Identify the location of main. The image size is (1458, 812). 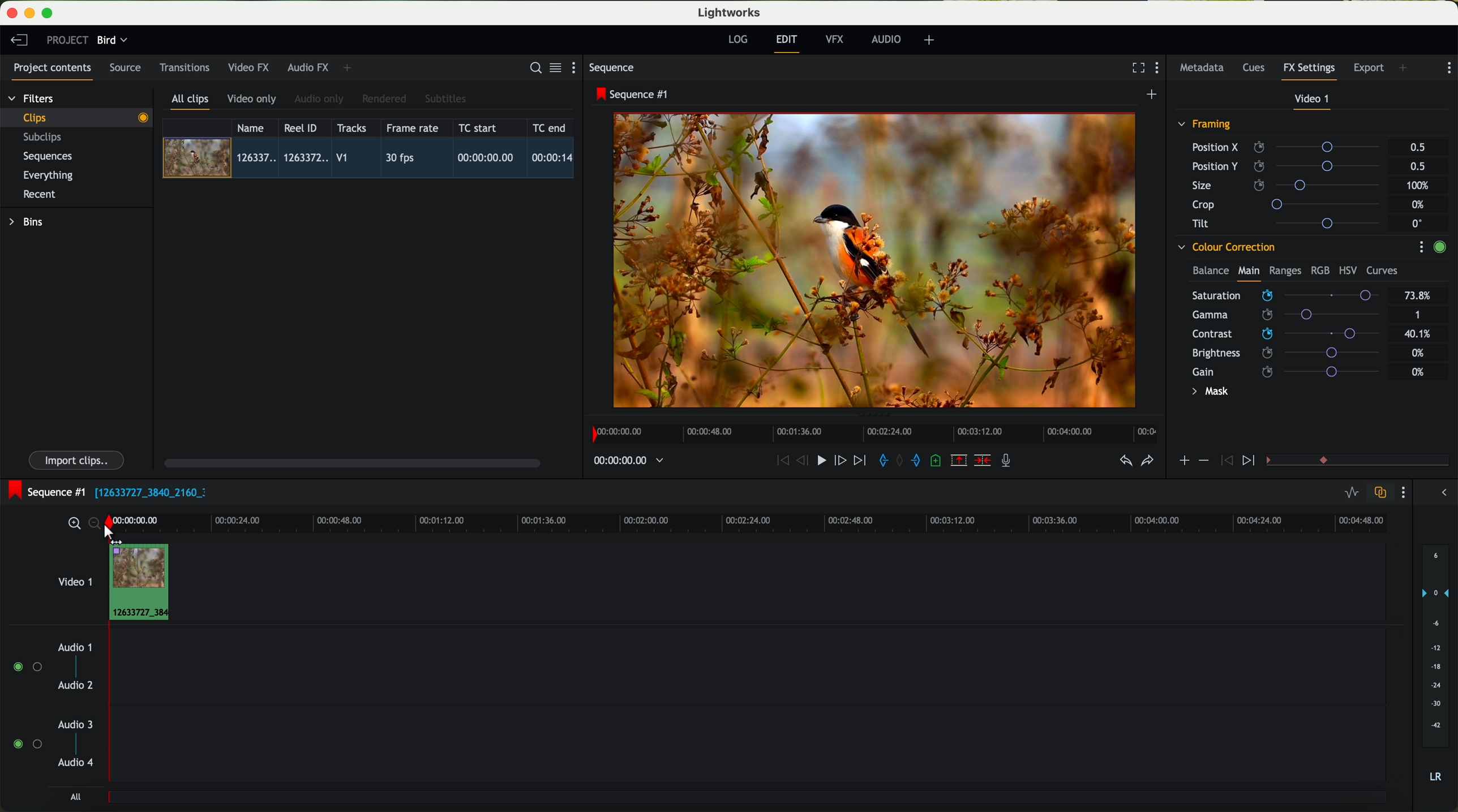
(1249, 273).